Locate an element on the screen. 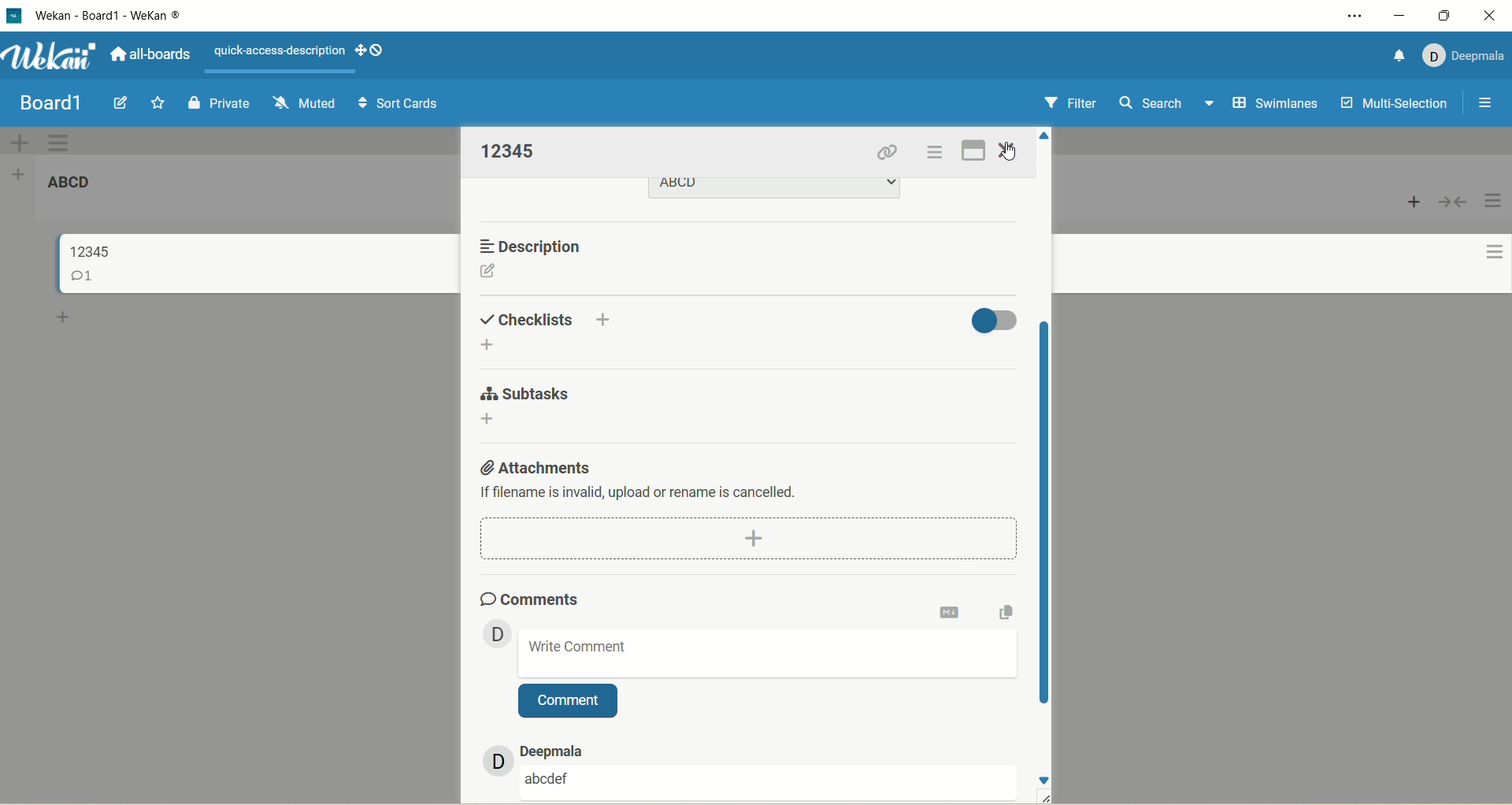 This screenshot has height=805, width=1512. add is located at coordinates (486, 420).